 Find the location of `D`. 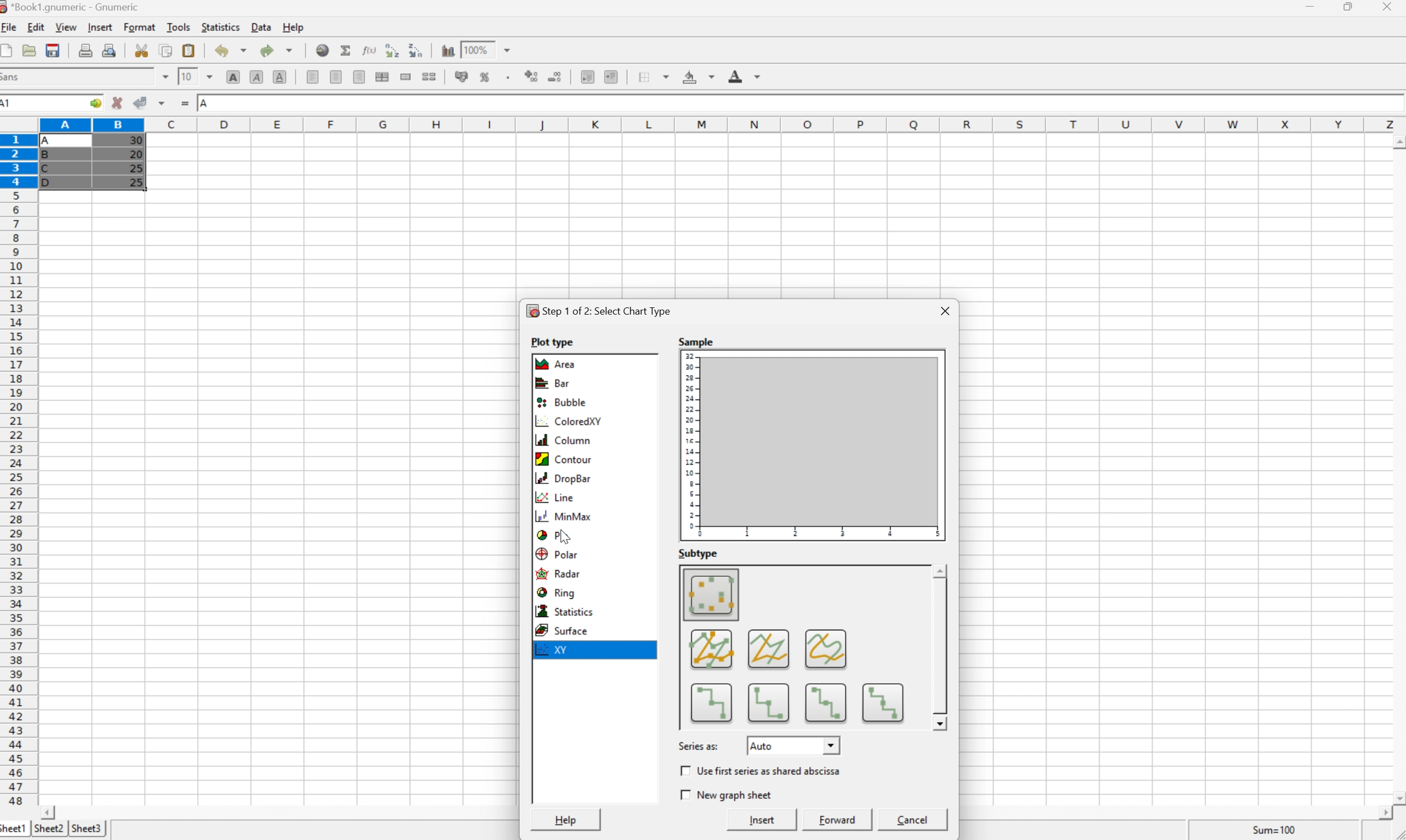

D is located at coordinates (50, 182).